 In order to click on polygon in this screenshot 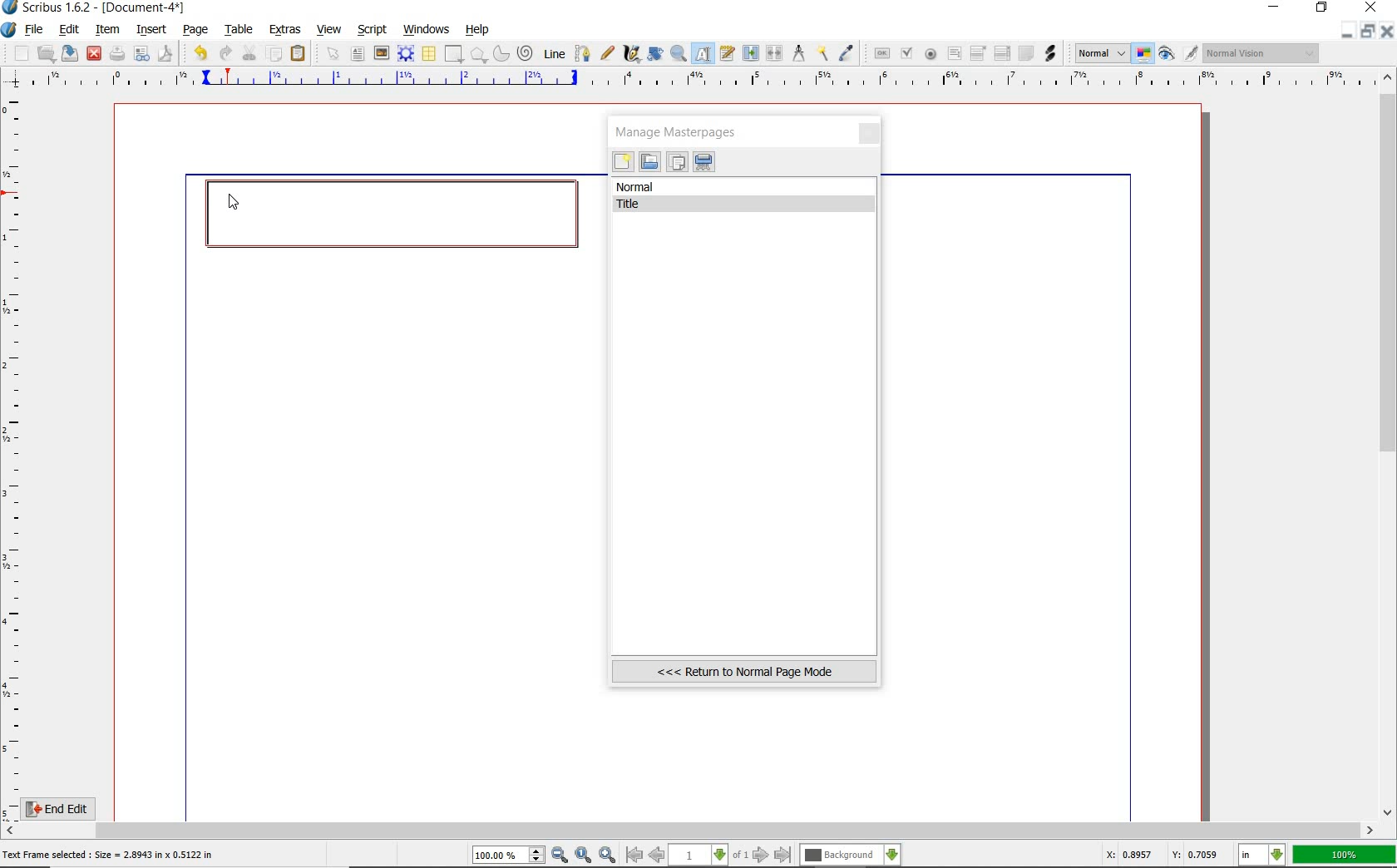, I will do `click(478, 56)`.